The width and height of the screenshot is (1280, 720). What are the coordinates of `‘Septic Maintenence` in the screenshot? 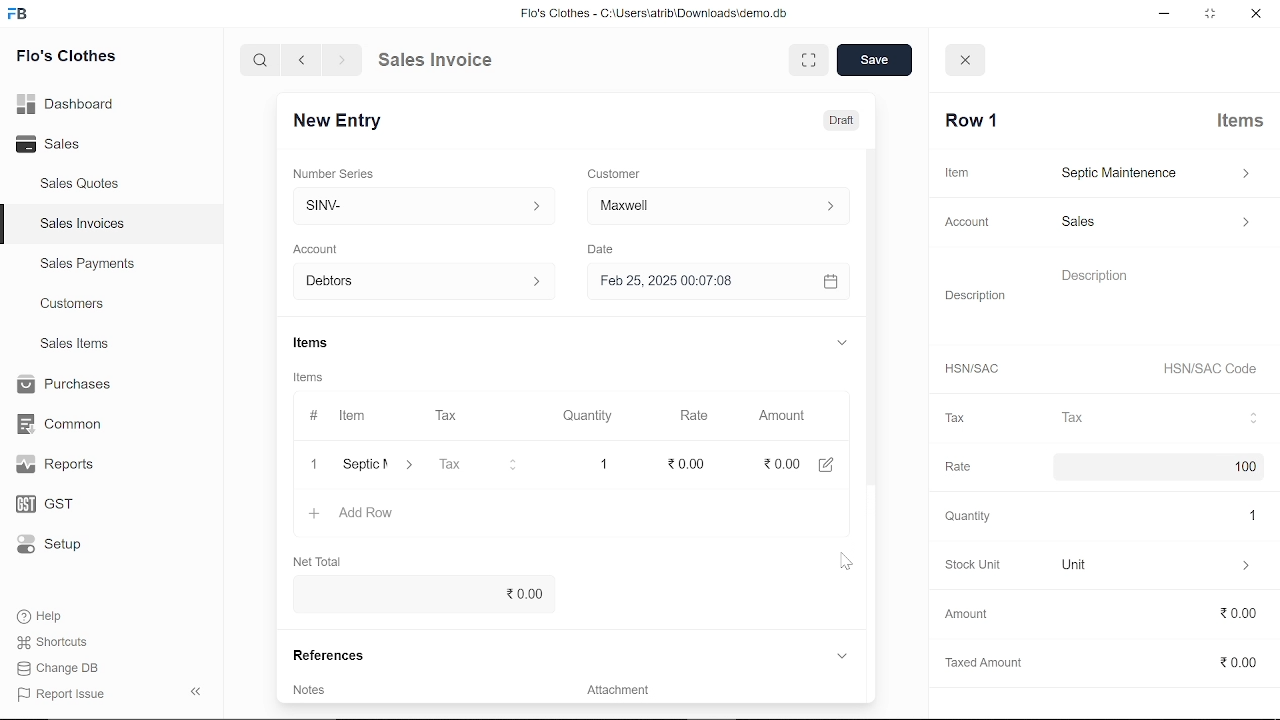 It's located at (362, 466).